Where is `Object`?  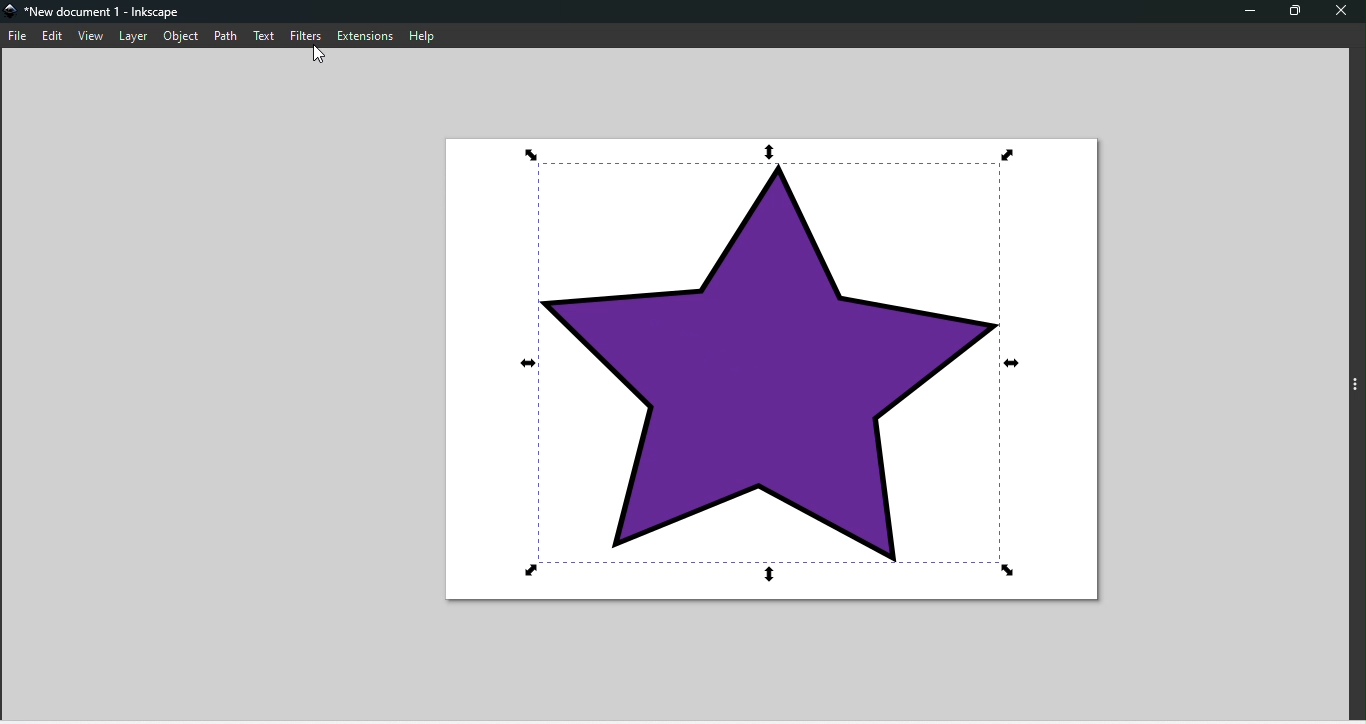 Object is located at coordinates (181, 35).